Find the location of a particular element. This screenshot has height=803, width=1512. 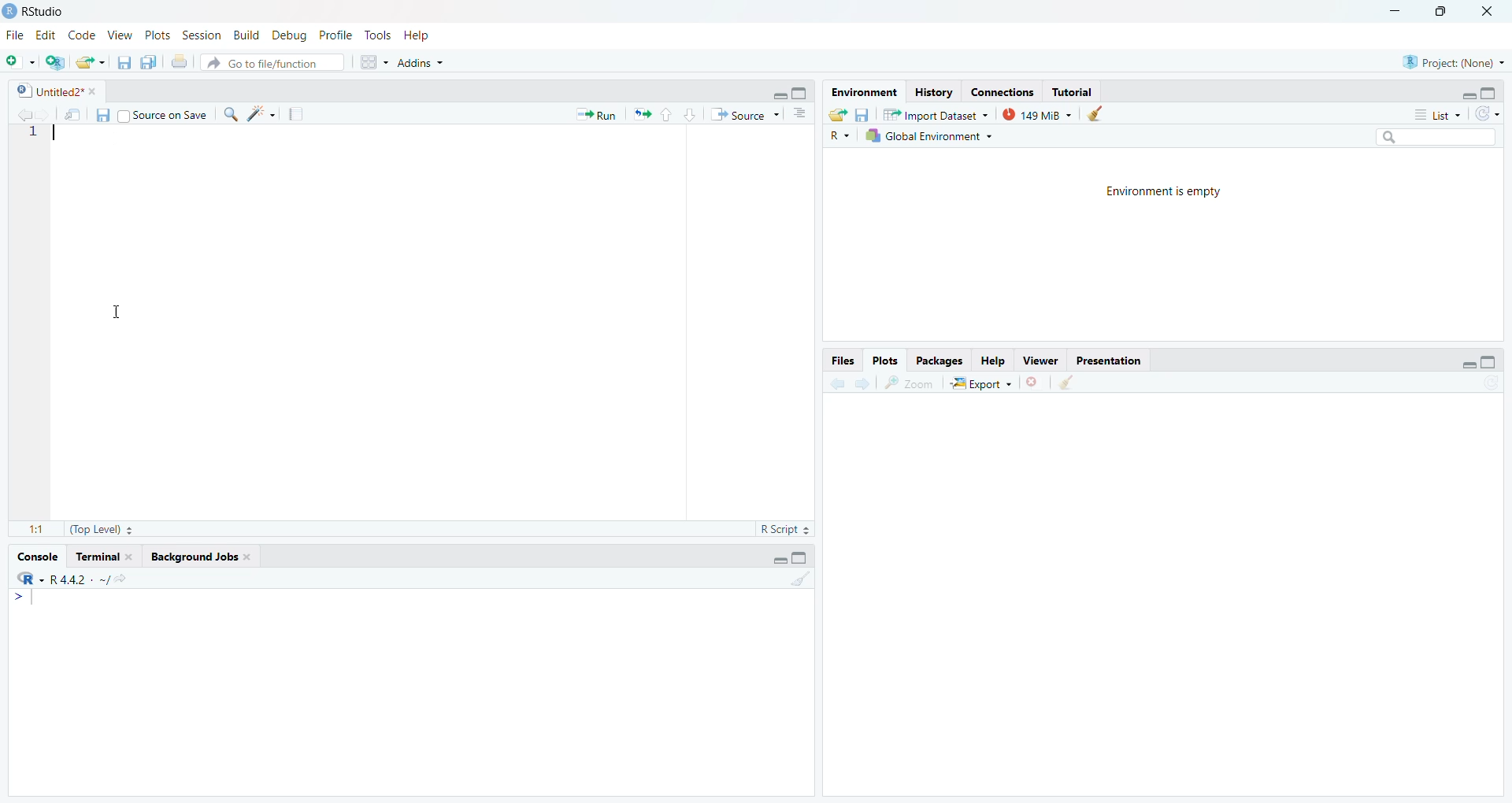

Zoom is located at coordinates (910, 383).